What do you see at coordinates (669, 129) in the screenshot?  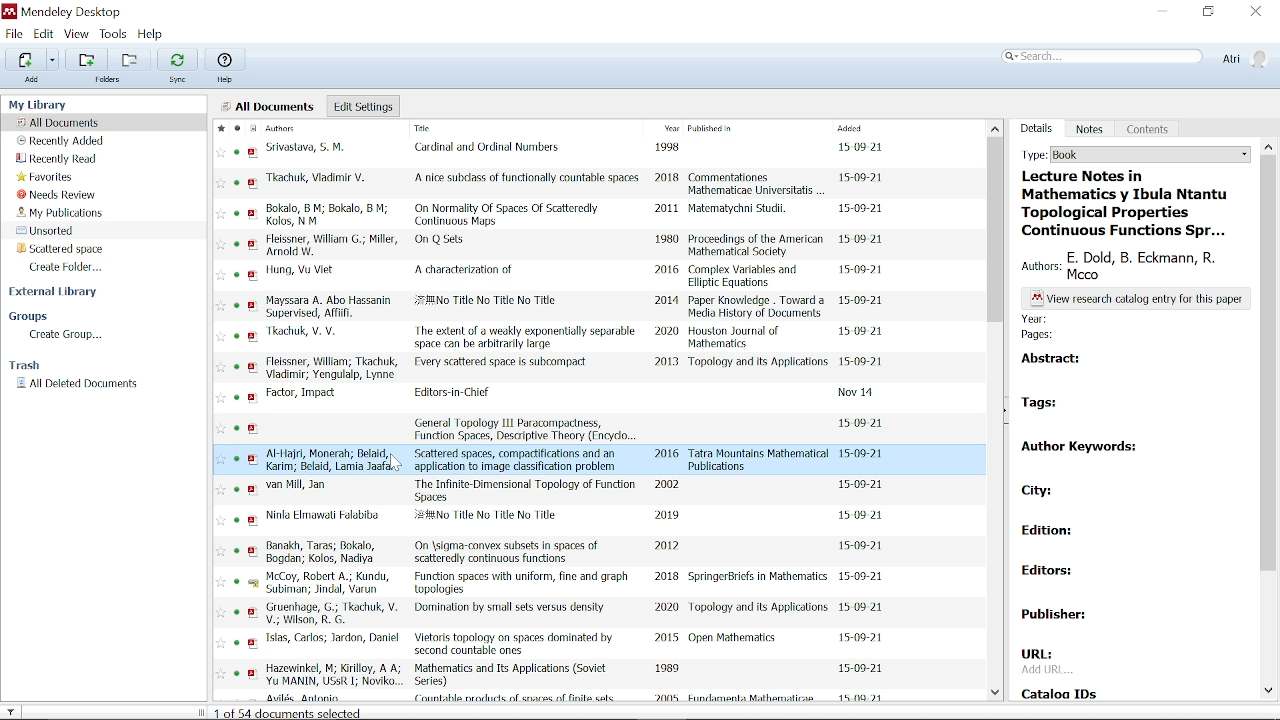 I see `Year` at bounding box center [669, 129].